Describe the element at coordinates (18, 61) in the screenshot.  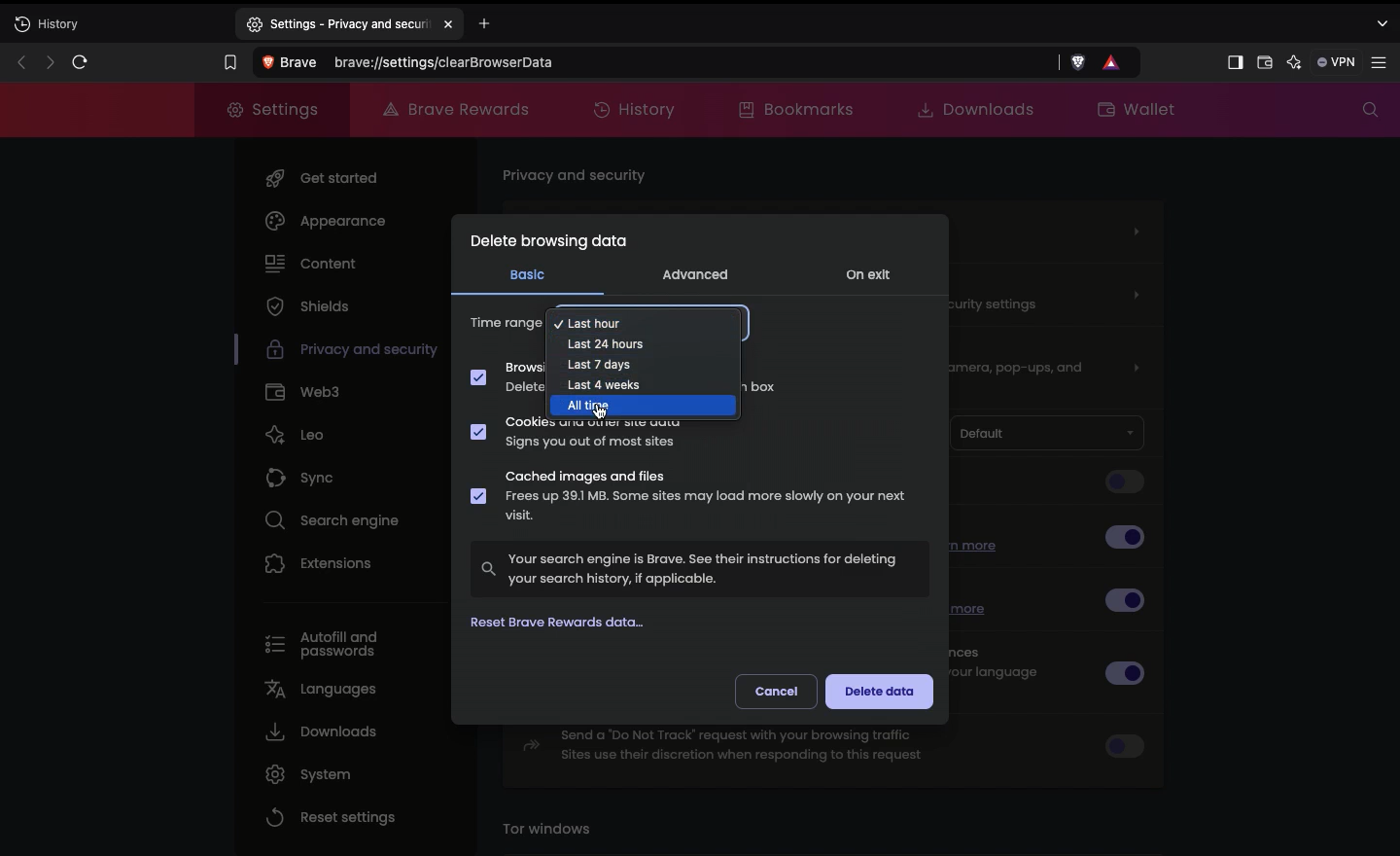
I see `Previous page` at that location.